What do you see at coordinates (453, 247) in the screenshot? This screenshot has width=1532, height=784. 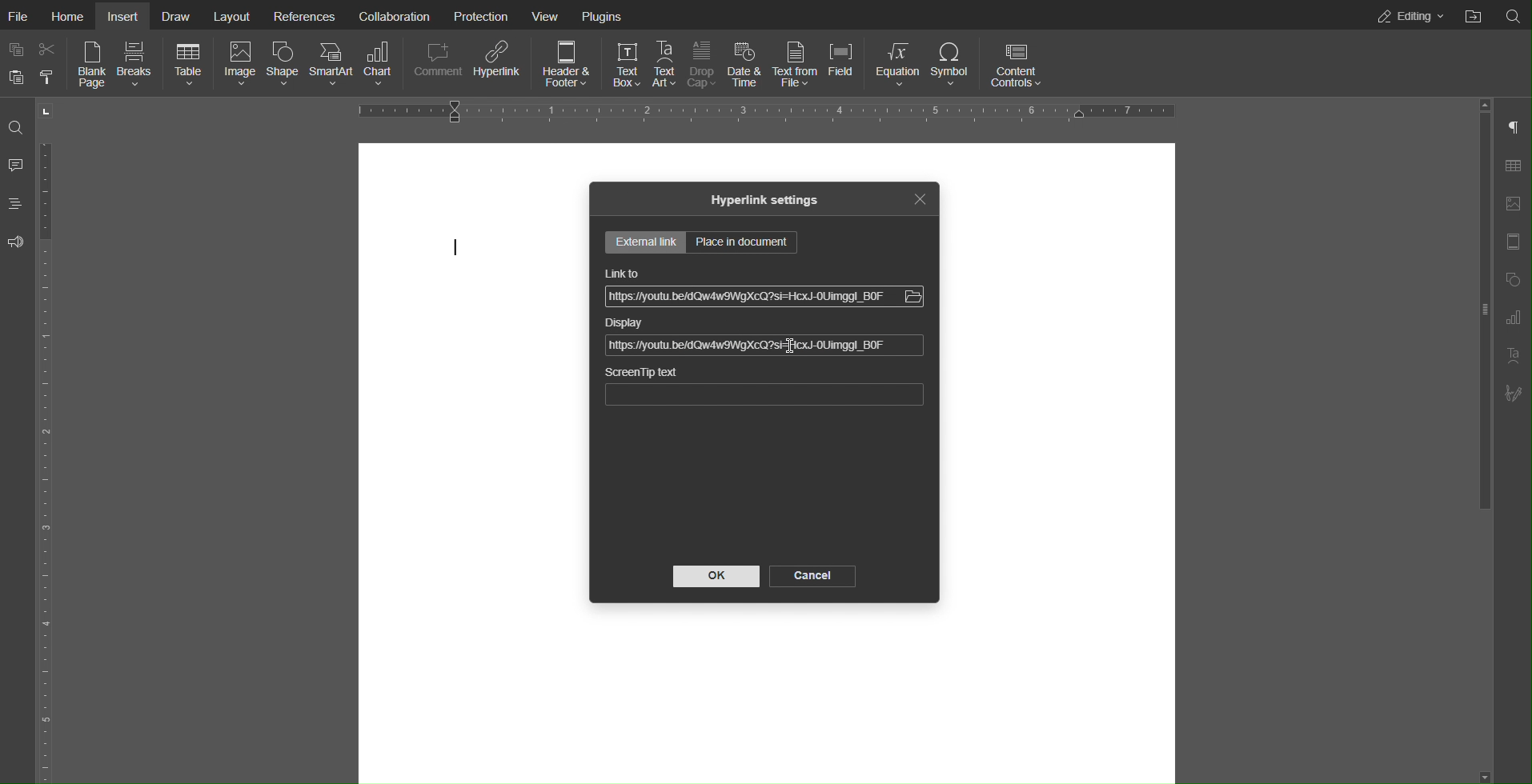 I see `cursor` at bounding box center [453, 247].